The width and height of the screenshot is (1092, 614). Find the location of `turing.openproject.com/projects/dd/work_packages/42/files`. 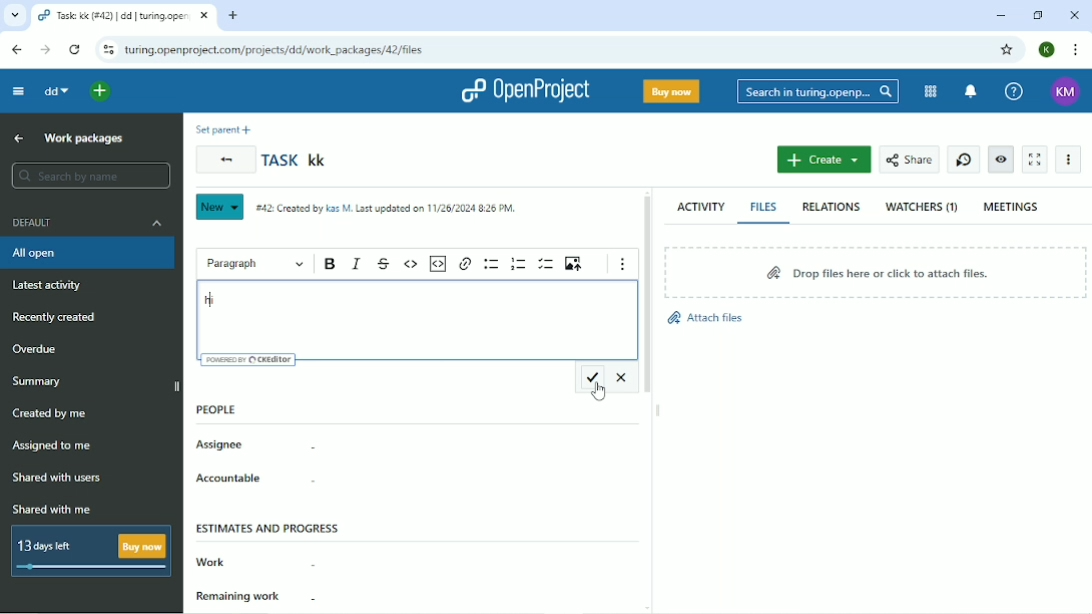

turing.openproject.com/projects/dd/work_packages/42/files is located at coordinates (275, 49).